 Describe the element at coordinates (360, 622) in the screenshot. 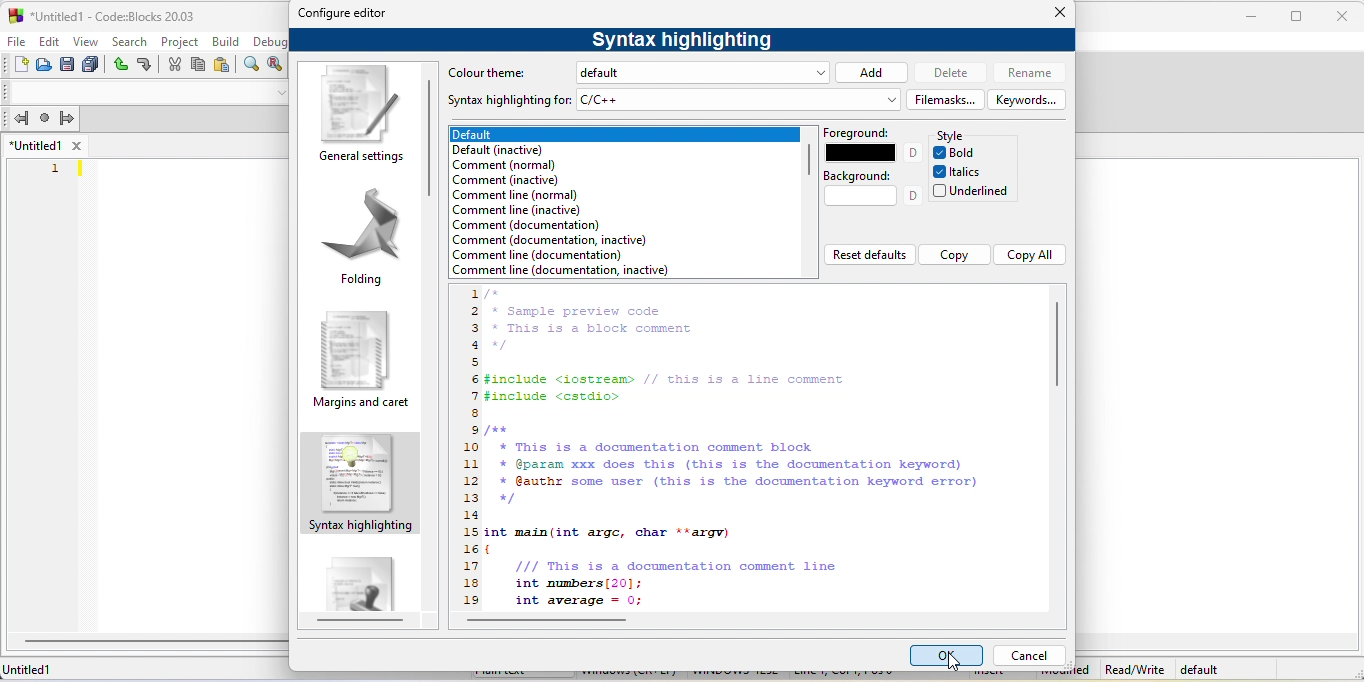

I see `horizontal scroll bar` at that location.